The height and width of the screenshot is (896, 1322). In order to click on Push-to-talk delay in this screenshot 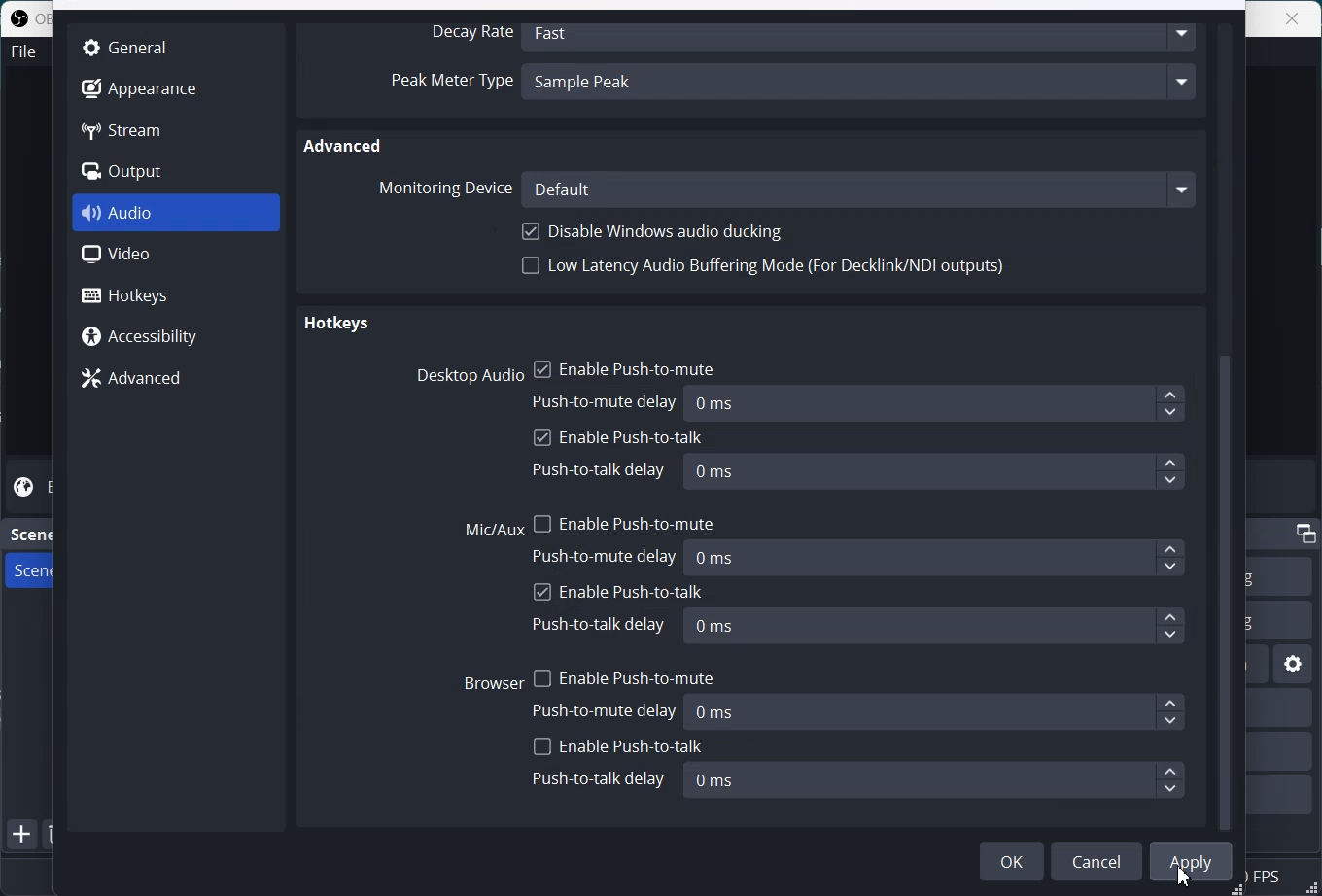, I will do `click(602, 624)`.